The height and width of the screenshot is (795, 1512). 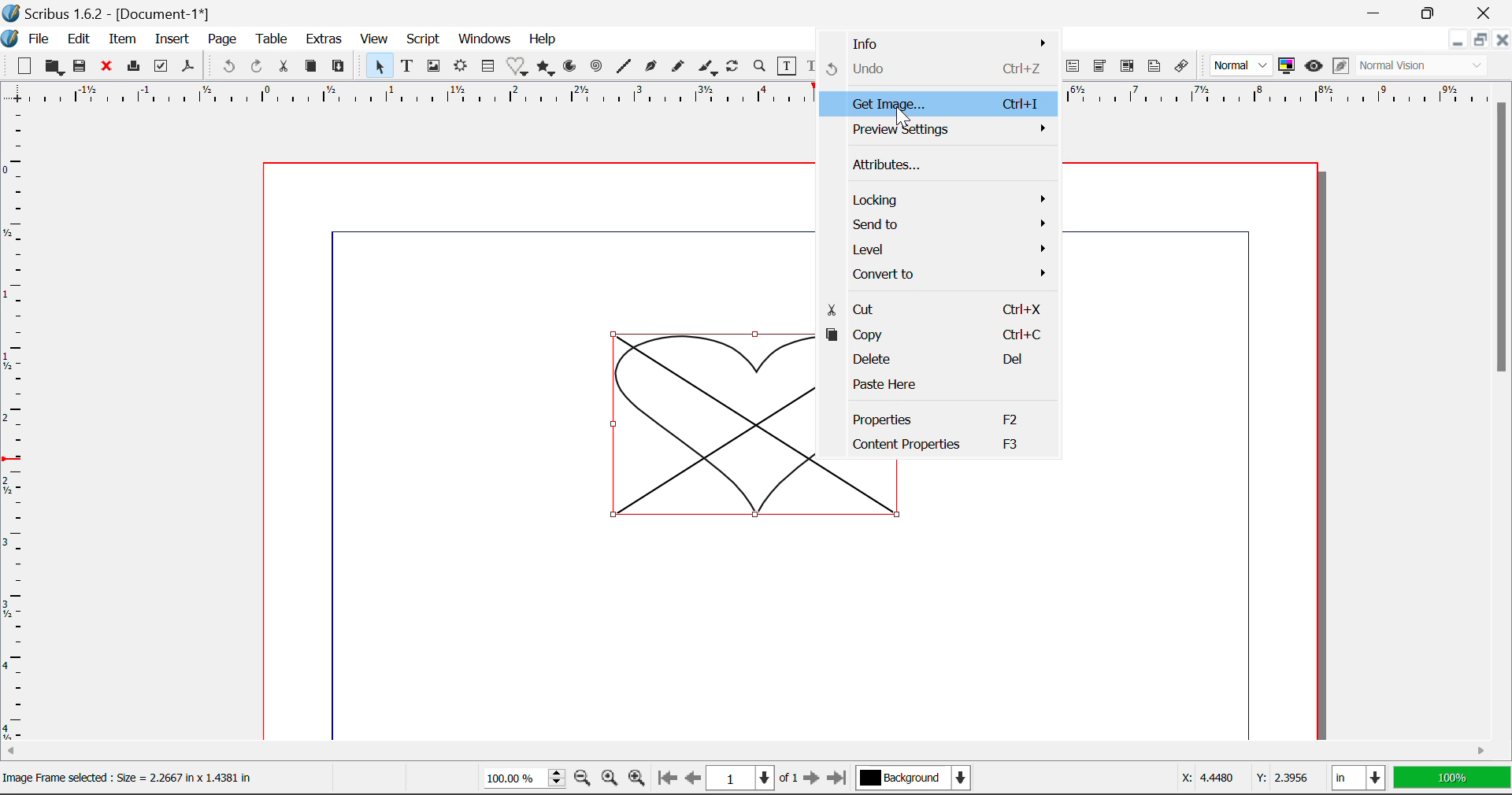 I want to click on Insert Special Shapes, so click(x=518, y=68).